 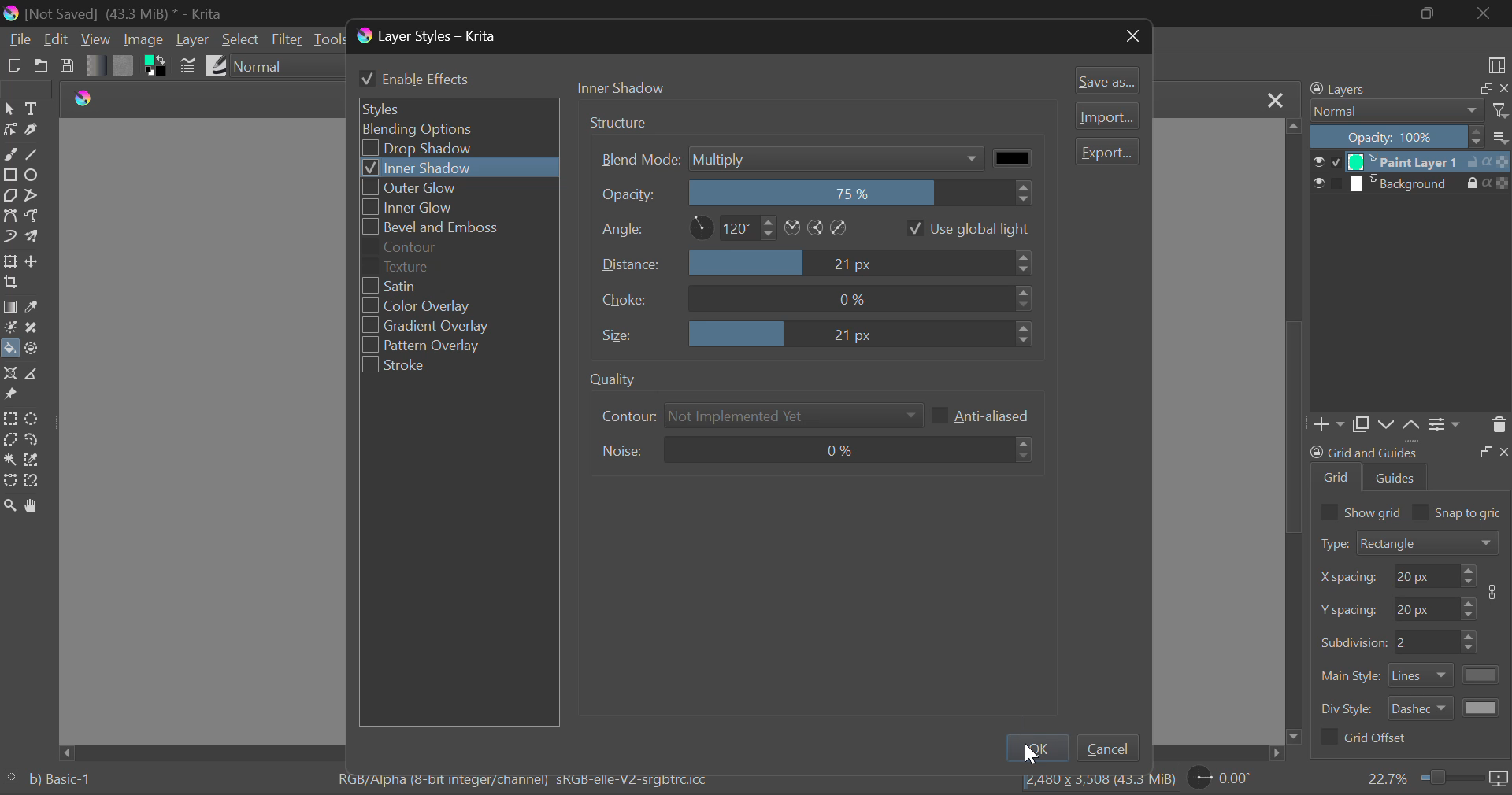 What do you see at coordinates (11, 174) in the screenshot?
I see `Rectangle` at bounding box center [11, 174].